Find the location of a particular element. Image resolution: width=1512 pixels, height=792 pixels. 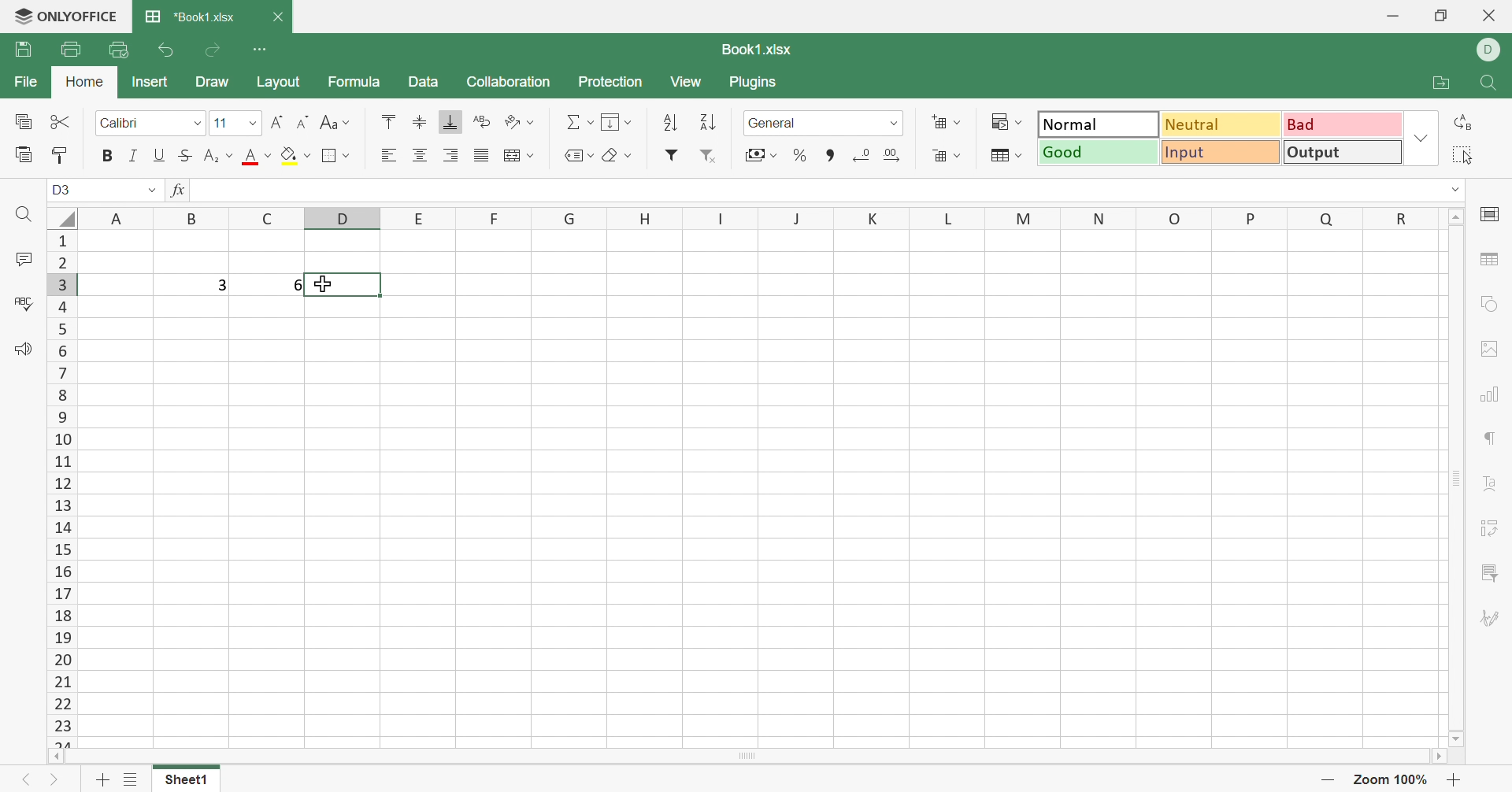

Align right is located at coordinates (450, 155).